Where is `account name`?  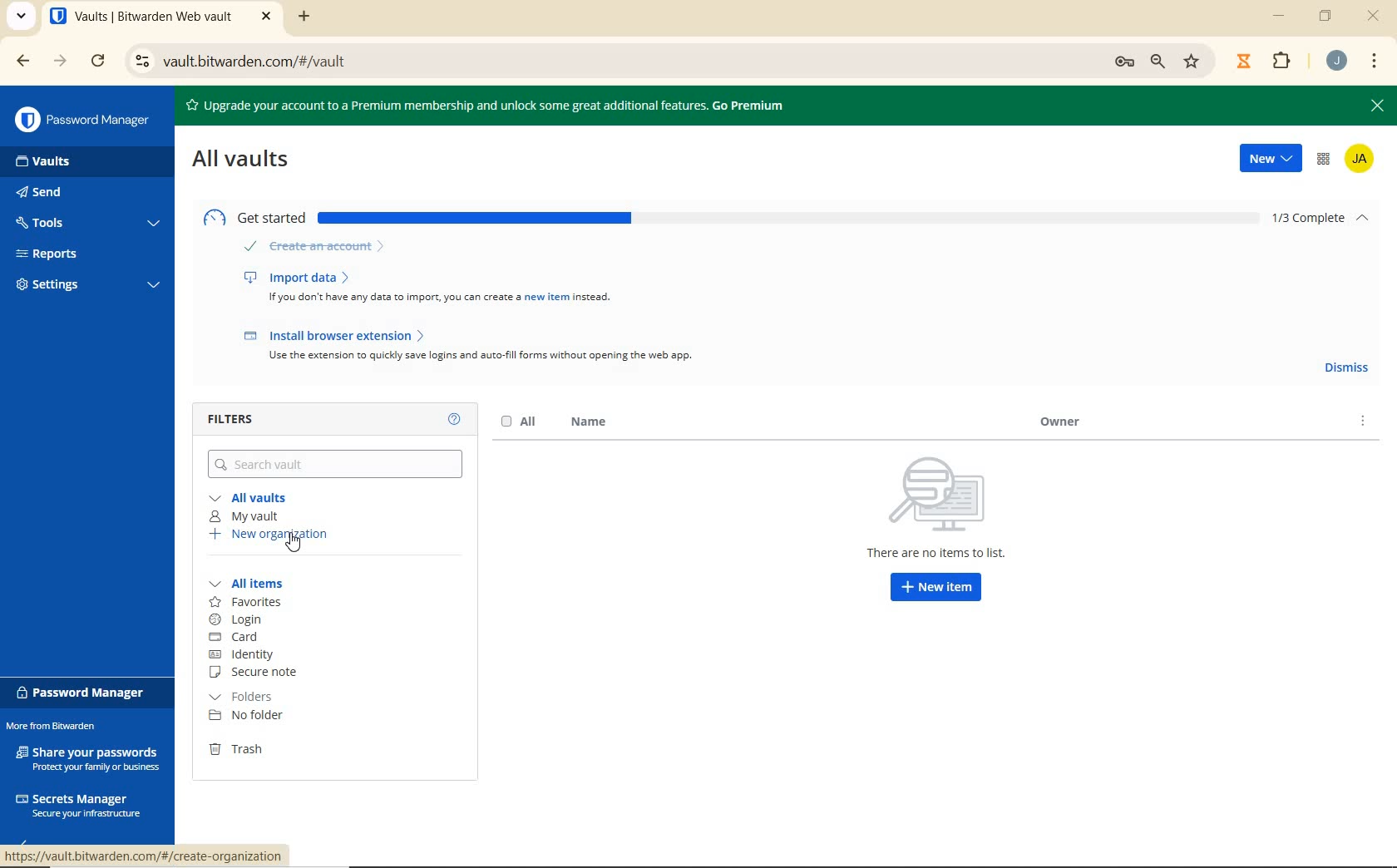
account name is located at coordinates (1336, 61).